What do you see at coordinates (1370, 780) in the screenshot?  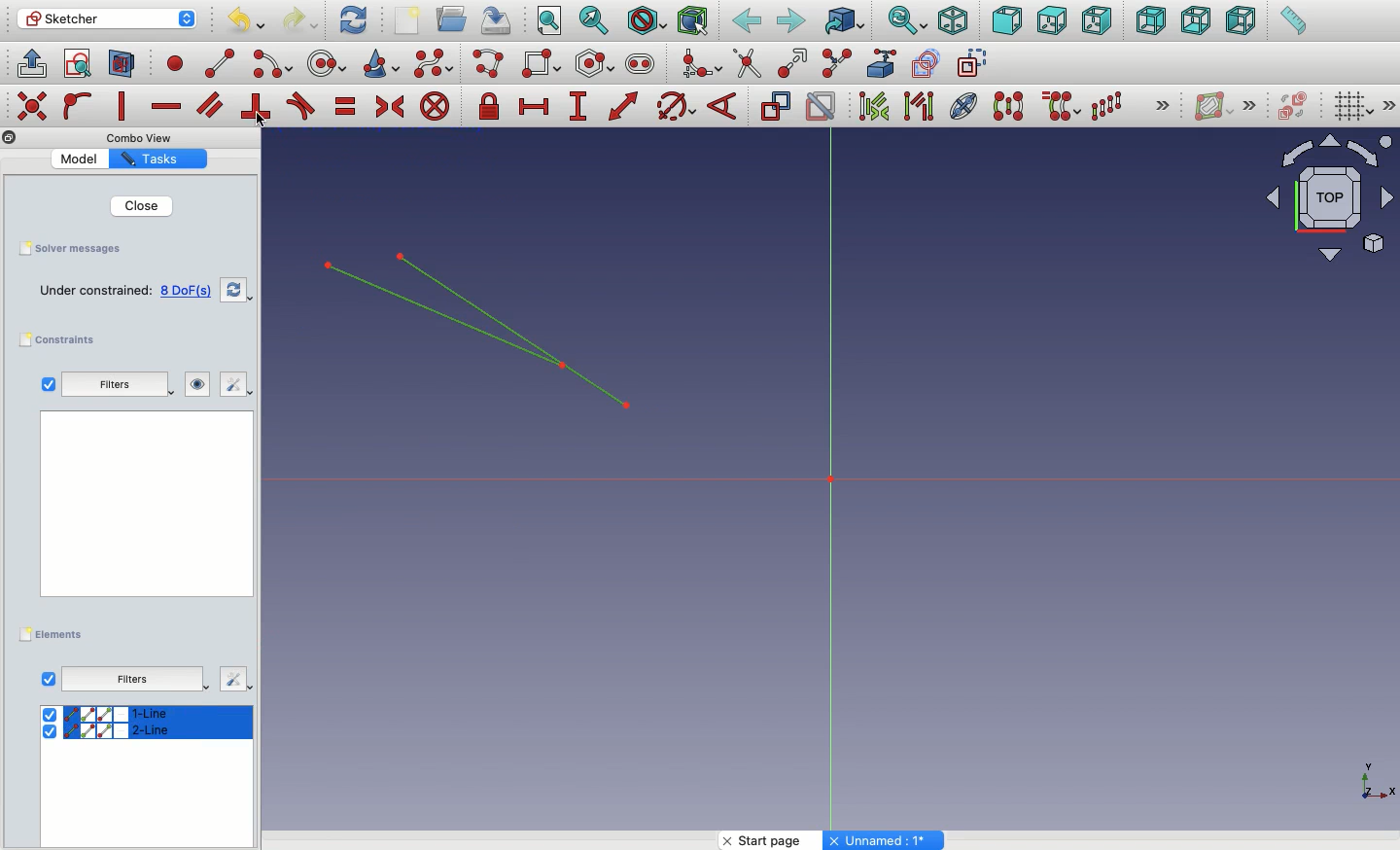 I see `` at bounding box center [1370, 780].